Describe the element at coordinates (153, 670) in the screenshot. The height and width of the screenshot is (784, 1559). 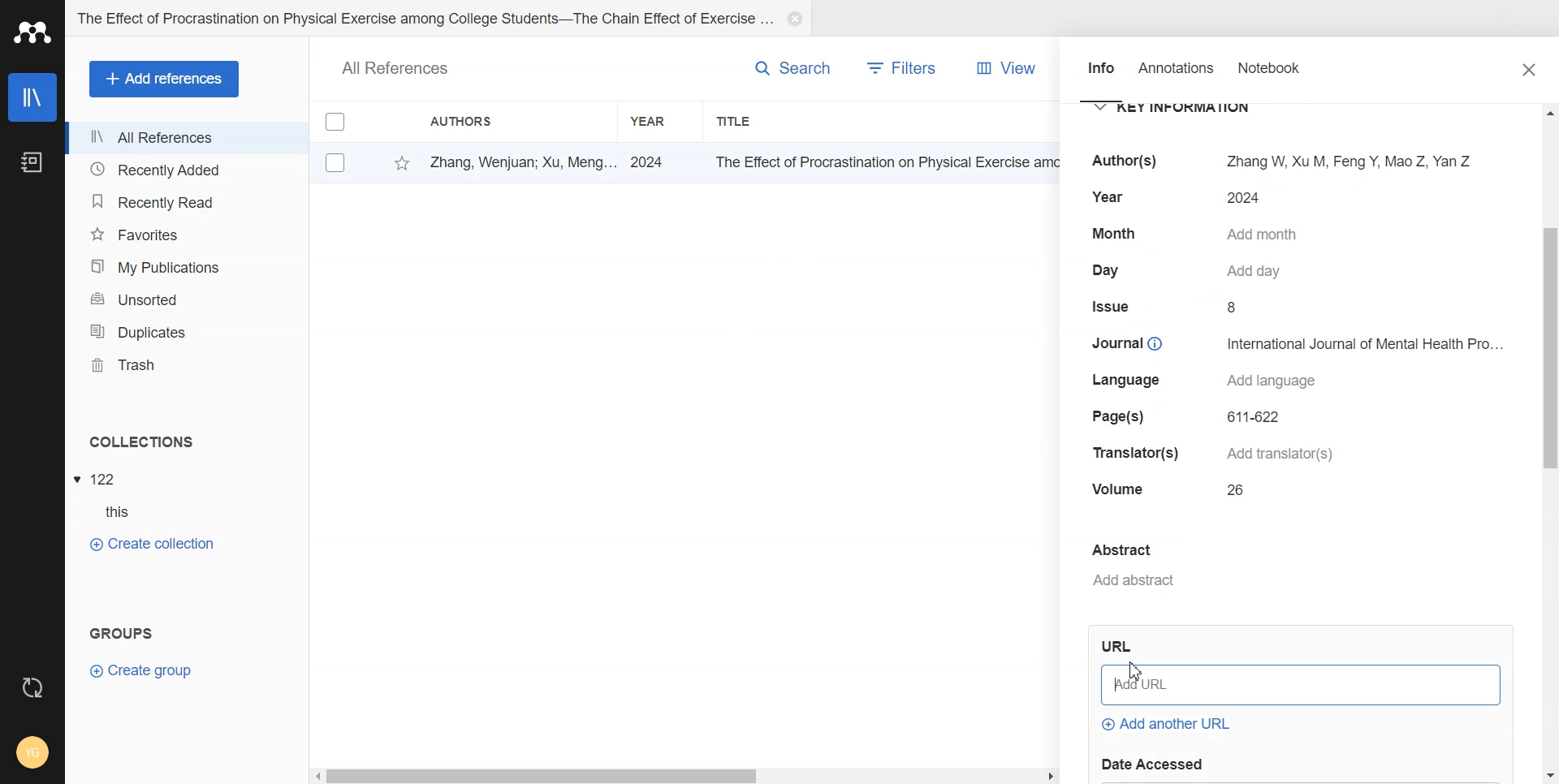
I see `Create Group` at that location.